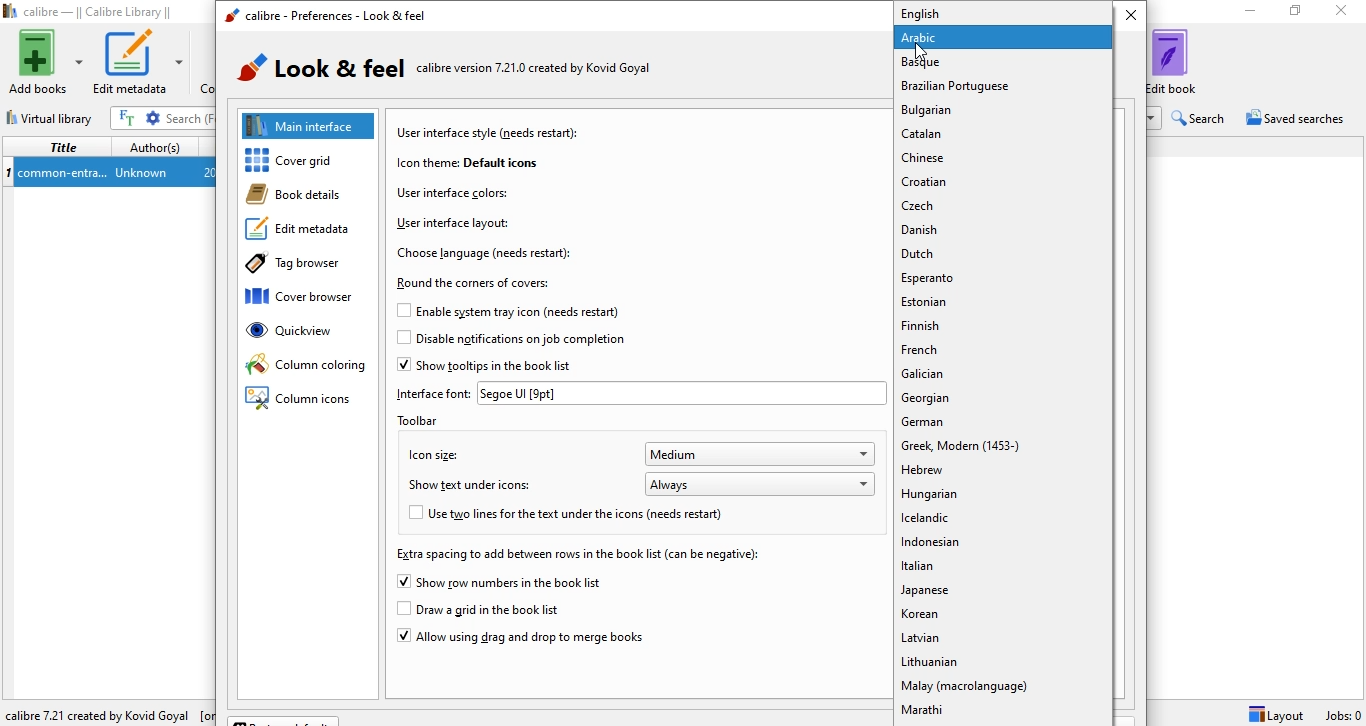 The image size is (1366, 726). Describe the element at coordinates (477, 283) in the screenshot. I see `round the corners of covers:` at that location.